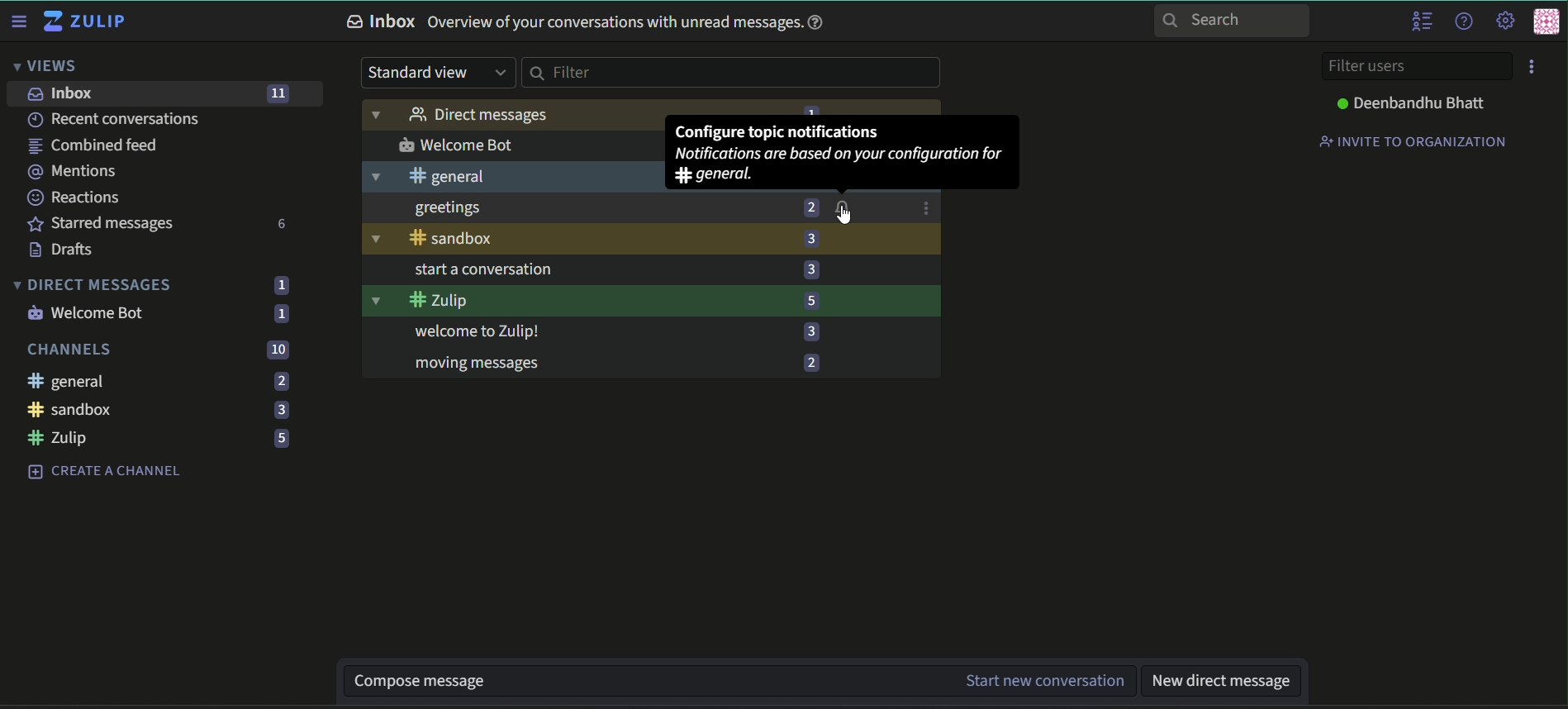 This screenshot has width=1568, height=709. I want to click on Views, so click(46, 64).